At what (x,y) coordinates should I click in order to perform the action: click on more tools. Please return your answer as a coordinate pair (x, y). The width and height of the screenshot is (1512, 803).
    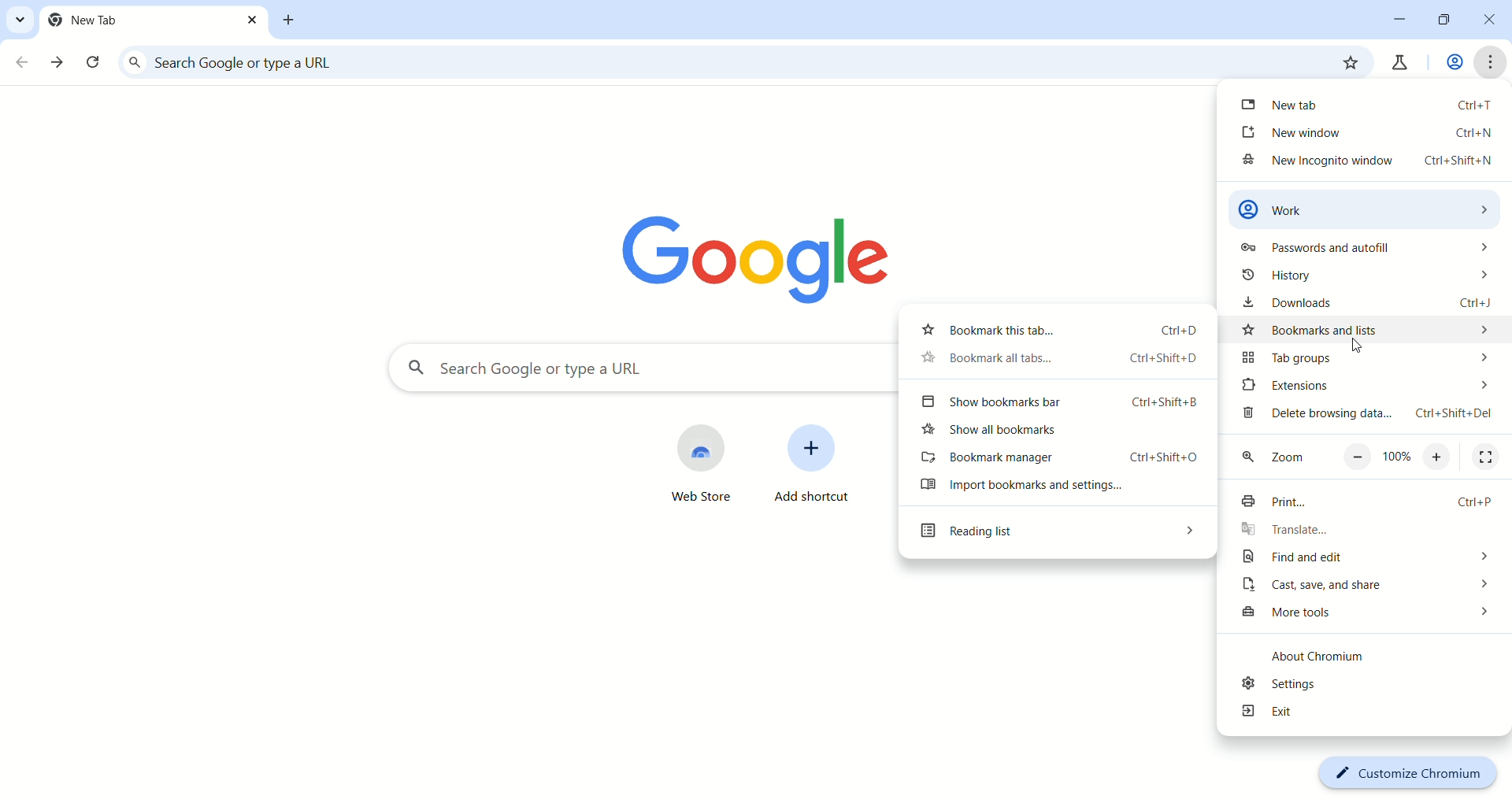
    Looking at the image, I should click on (1365, 615).